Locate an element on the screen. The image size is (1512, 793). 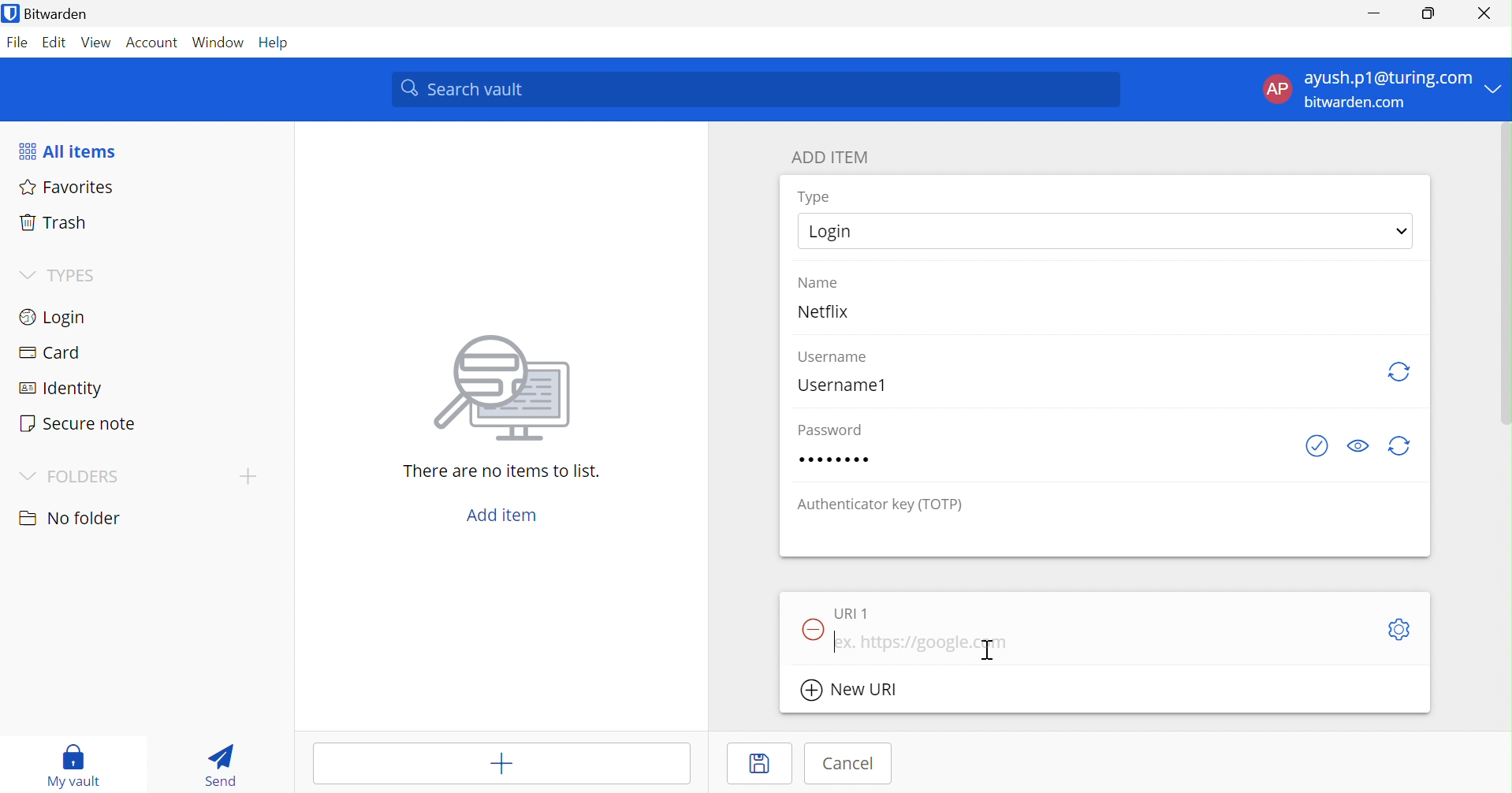
AP is located at coordinates (1277, 89).